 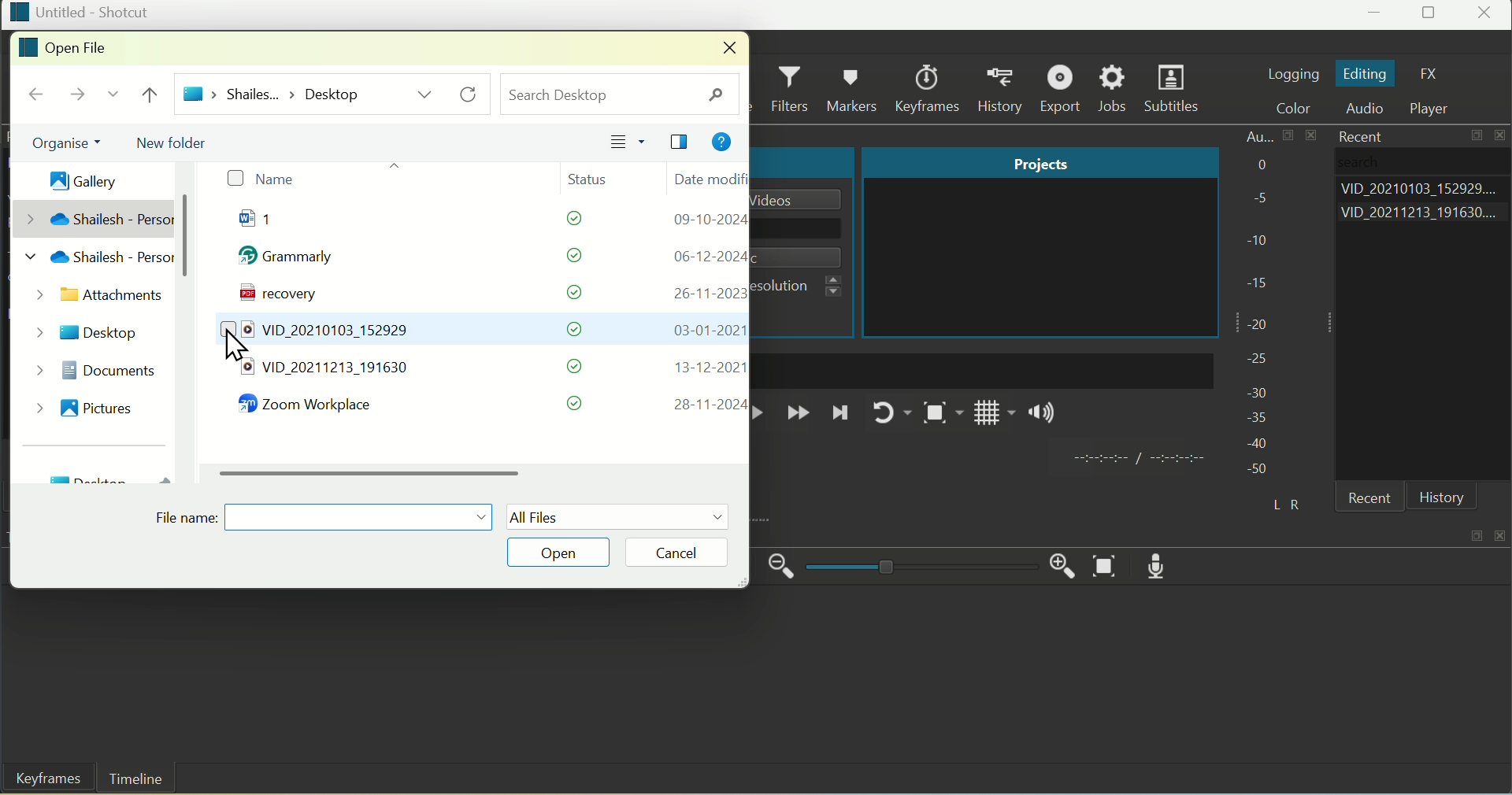 What do you see at coordinates (576, 366) in the screenshot?
I see `status` at bounding box center [576, 366].